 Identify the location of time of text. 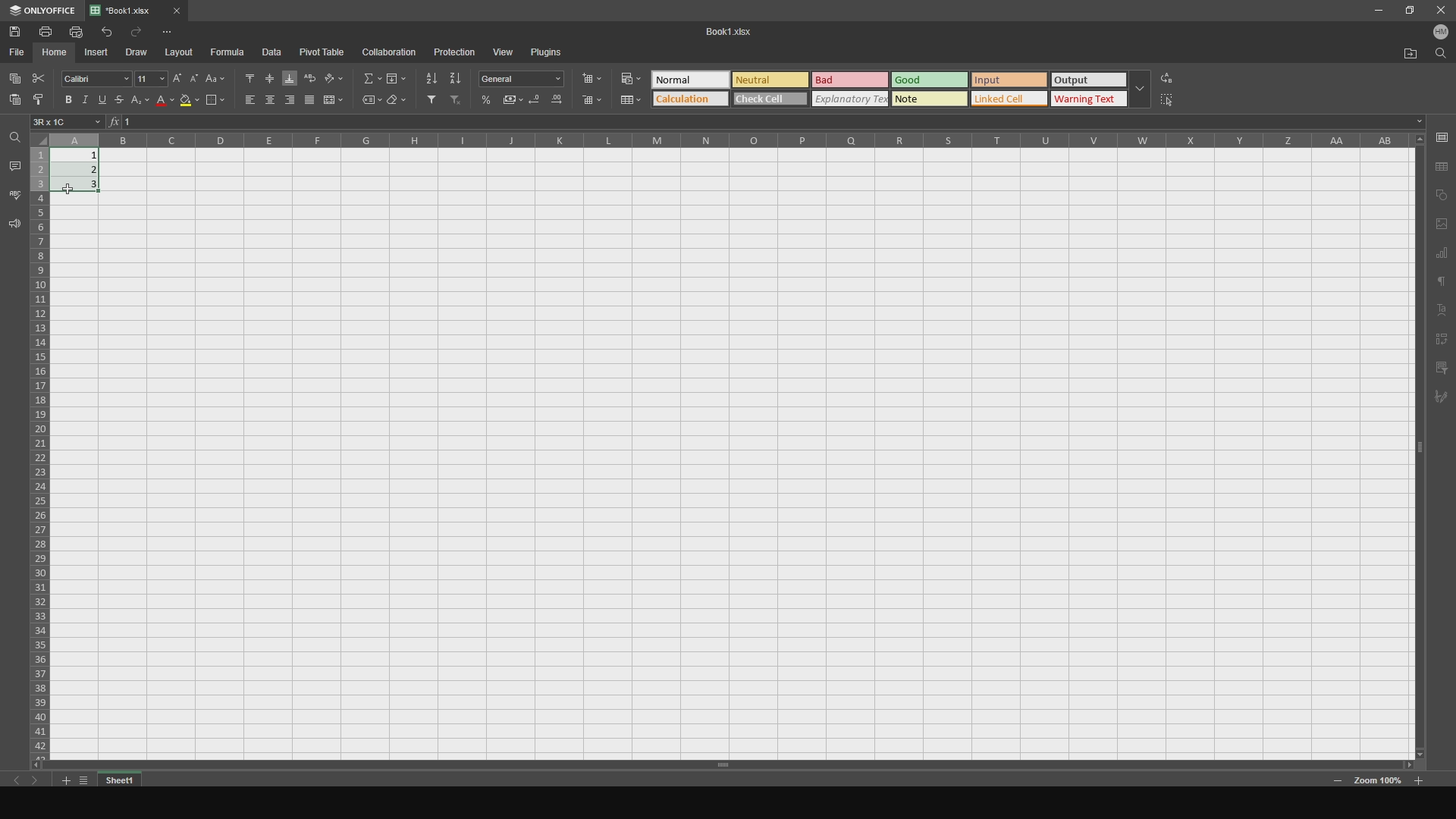
(901, 88).